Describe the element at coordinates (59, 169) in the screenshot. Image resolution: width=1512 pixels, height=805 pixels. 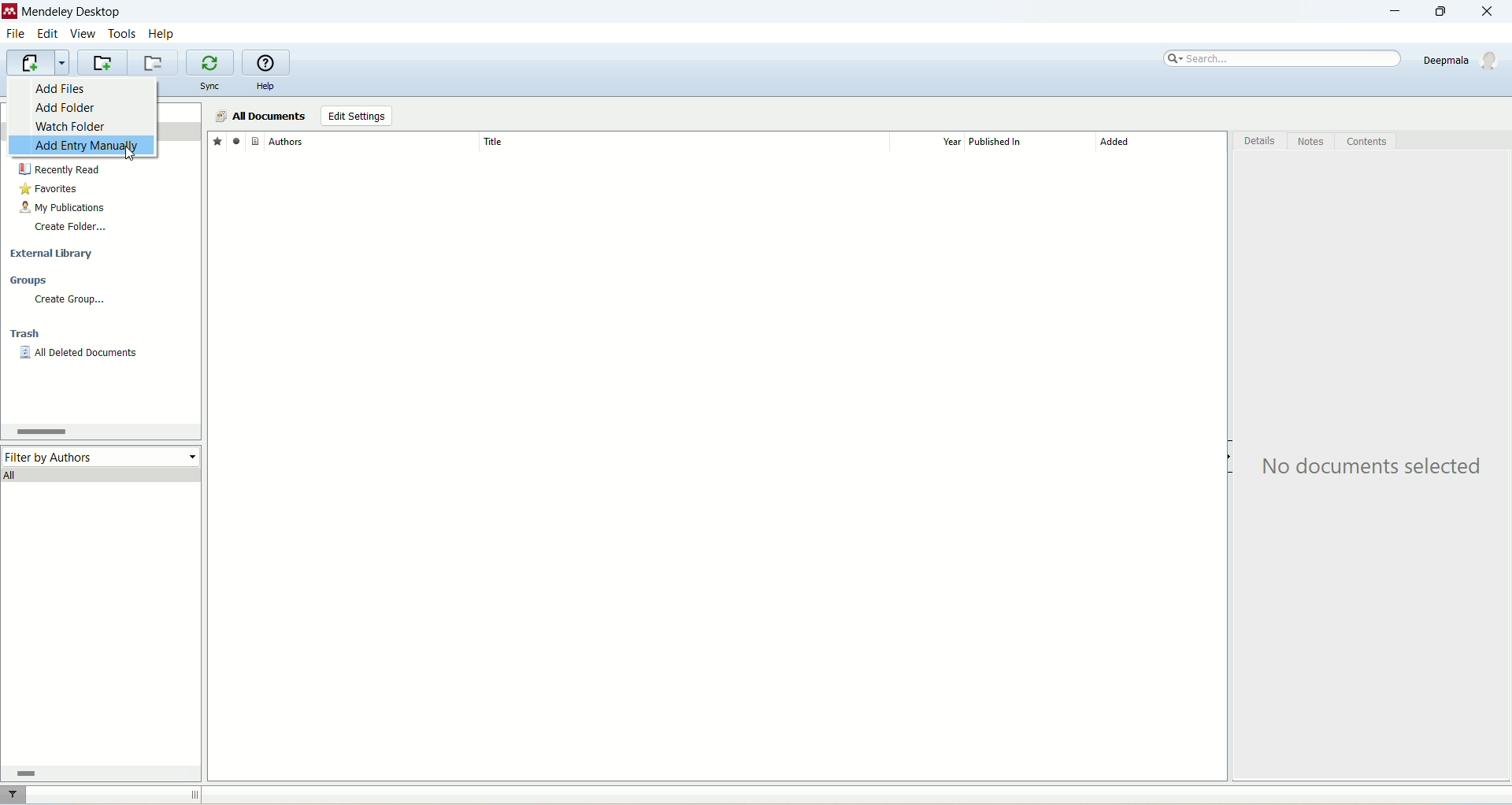
I see `recently read` at that location.